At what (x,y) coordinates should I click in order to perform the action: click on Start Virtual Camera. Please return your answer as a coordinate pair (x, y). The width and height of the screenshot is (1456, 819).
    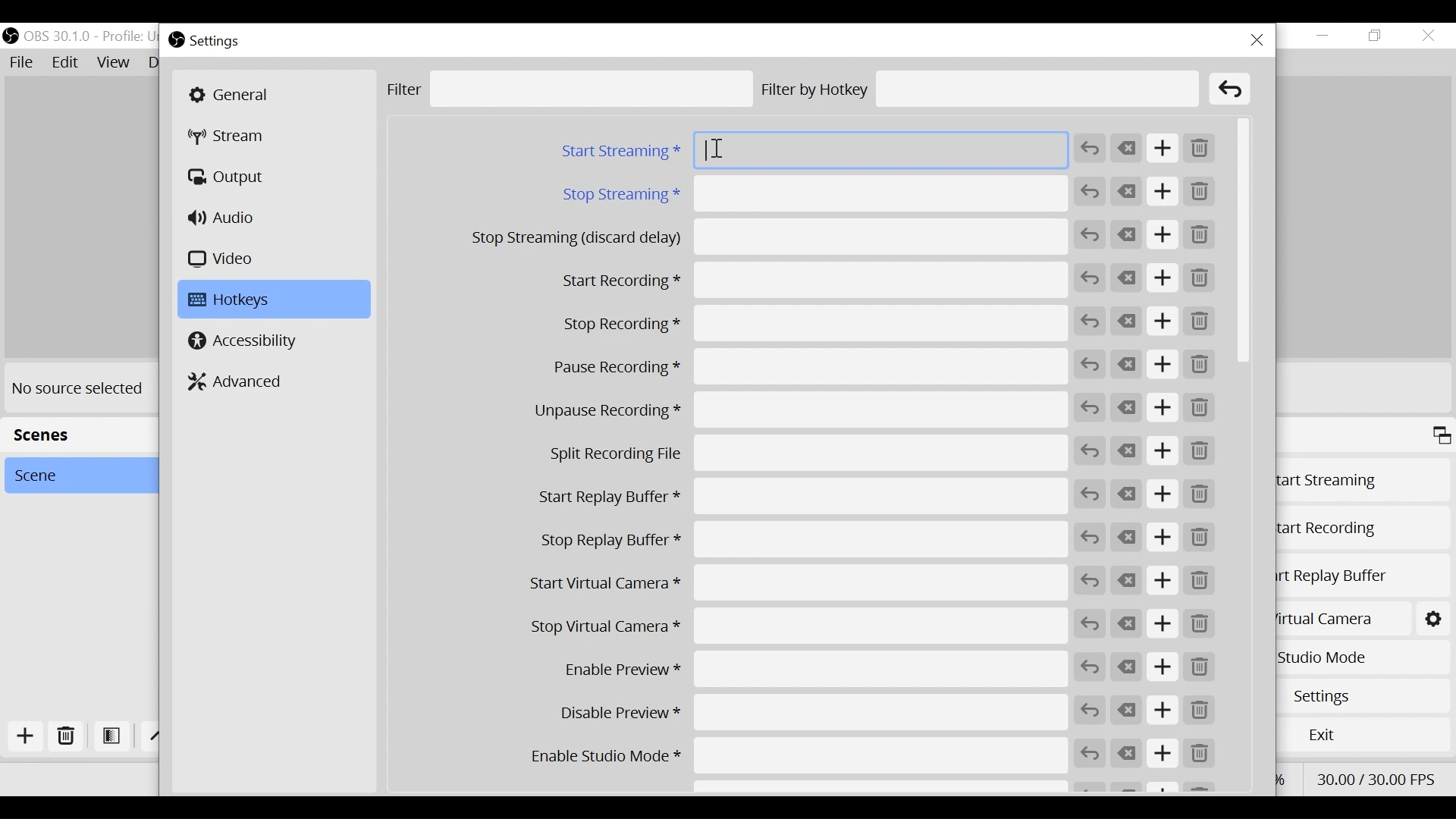
    Looking at the image, I should click on (799, 582).